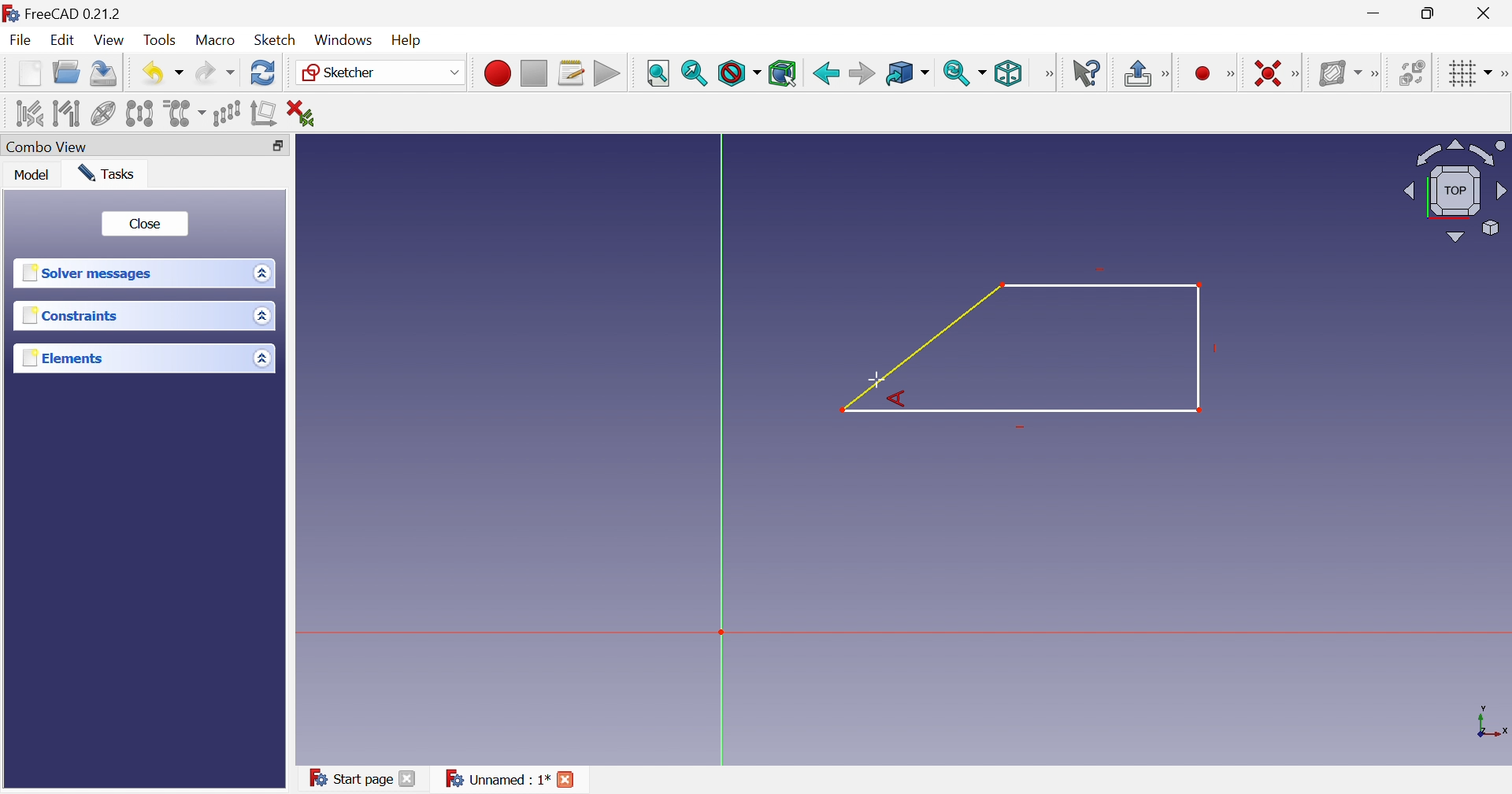 The height and width of the screenshot is (794, 1512). Describe the element at coordinates (263, 75) in the screenshot. I see `Refresh` at that location.